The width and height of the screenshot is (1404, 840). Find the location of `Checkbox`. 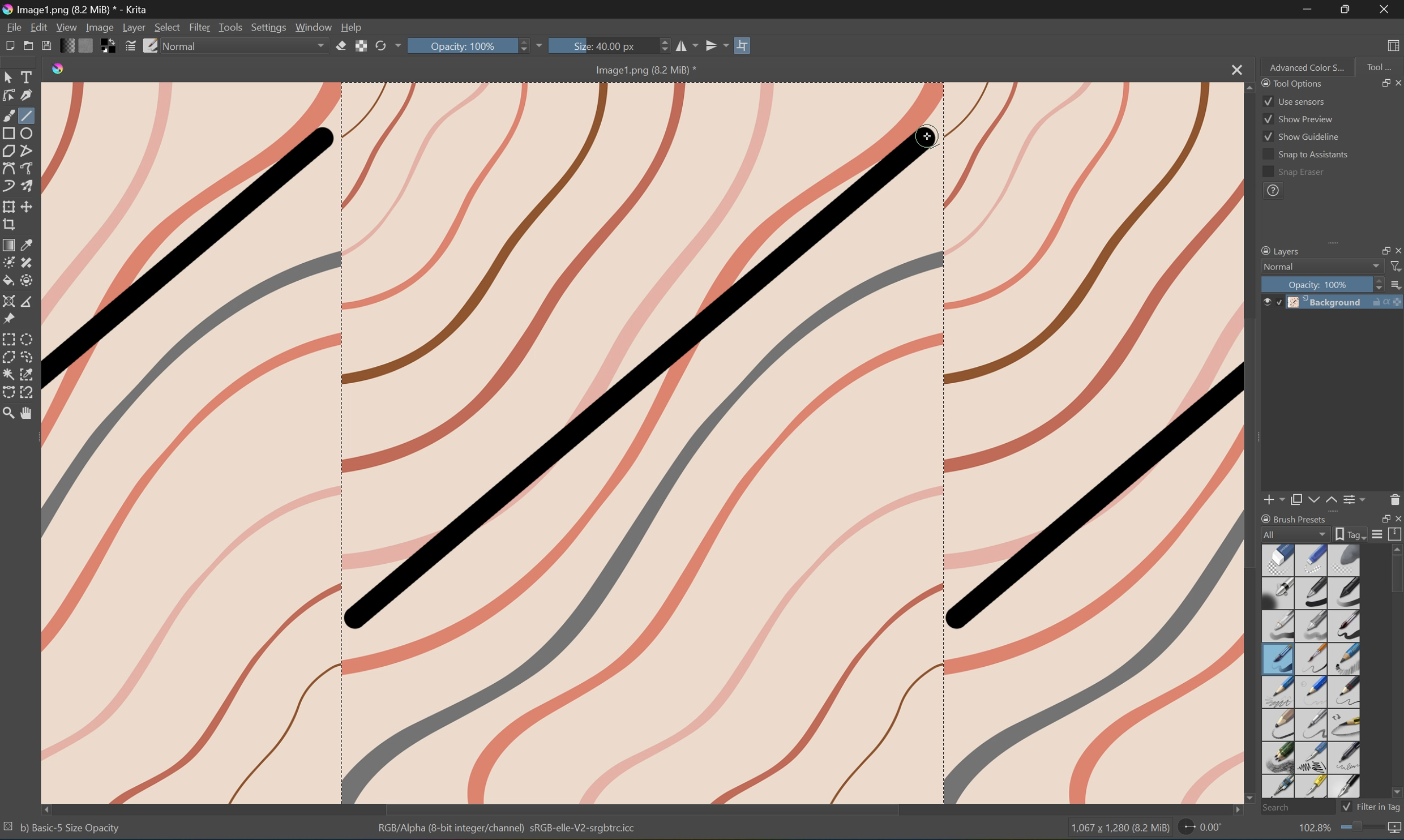

Checkbox is located at coordinates (1345, 807).